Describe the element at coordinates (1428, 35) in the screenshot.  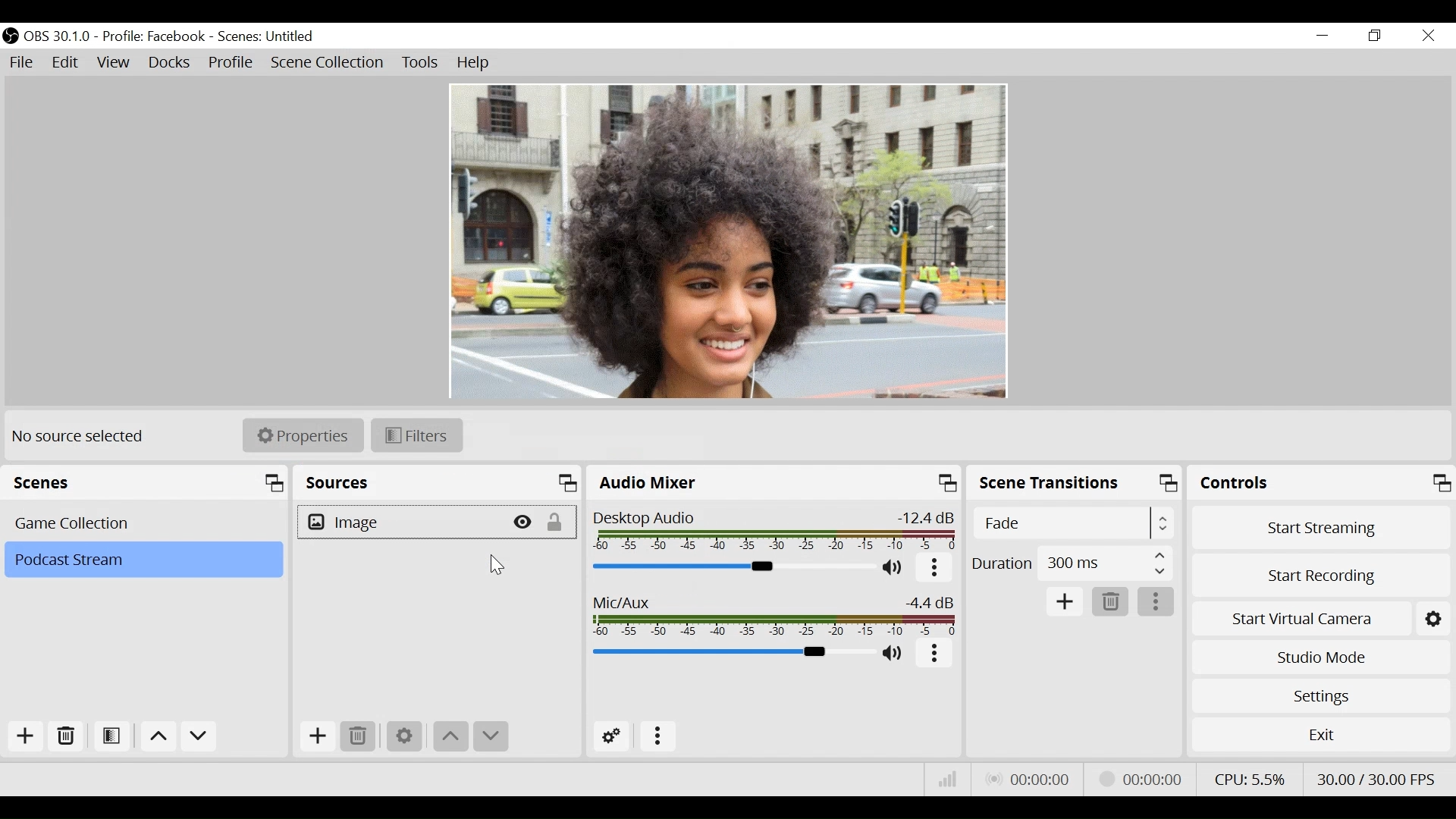
I see `Close` at that location.